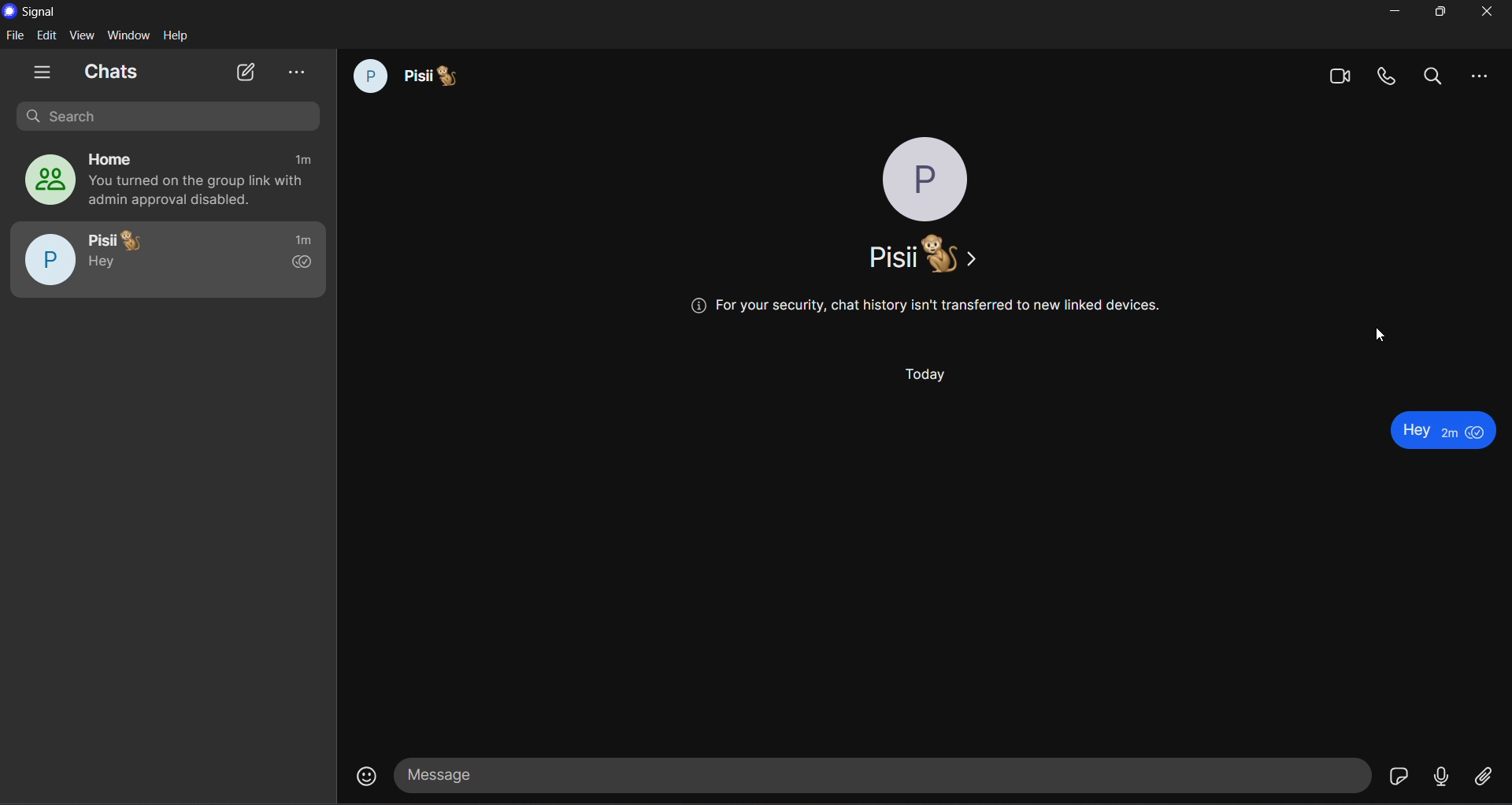 The image size is (1512, 805). Describe the element at coordinates (1401, 776) in the screenshot. I see `stickers` at that location.